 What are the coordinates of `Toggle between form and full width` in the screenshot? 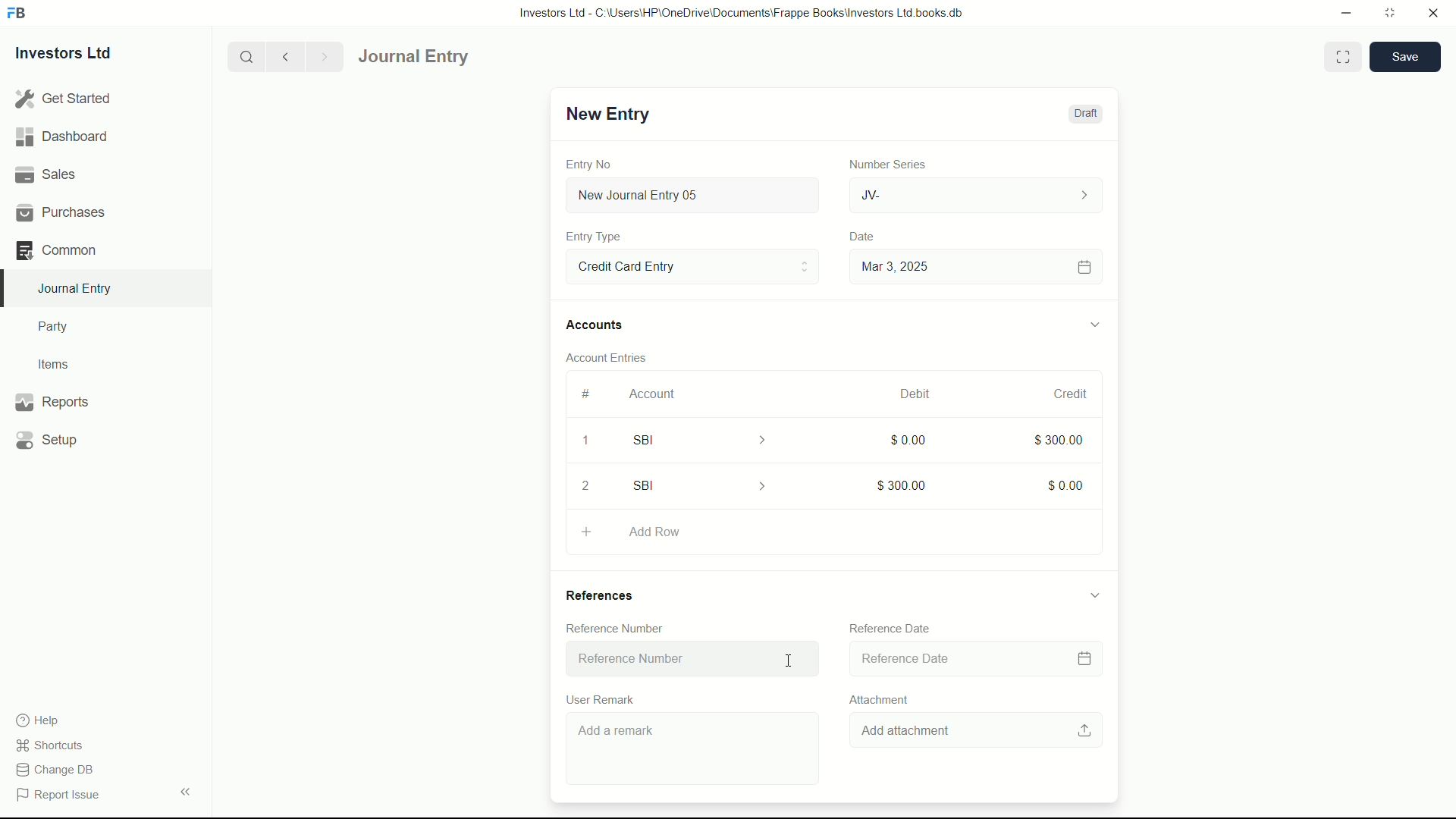 It's located at (1344, 57).